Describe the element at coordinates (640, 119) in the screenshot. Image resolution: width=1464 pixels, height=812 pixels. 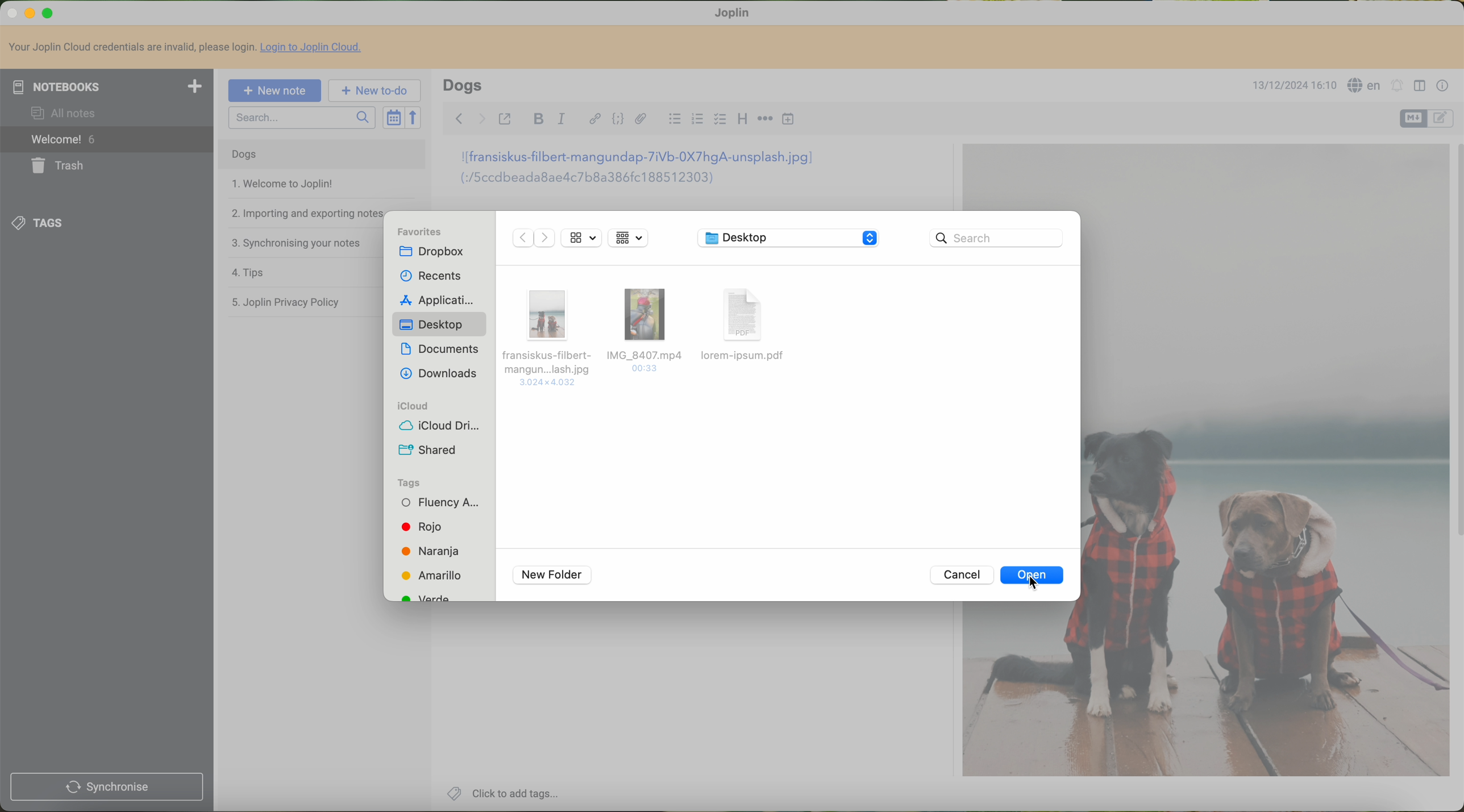
I see `attach file` at that location.